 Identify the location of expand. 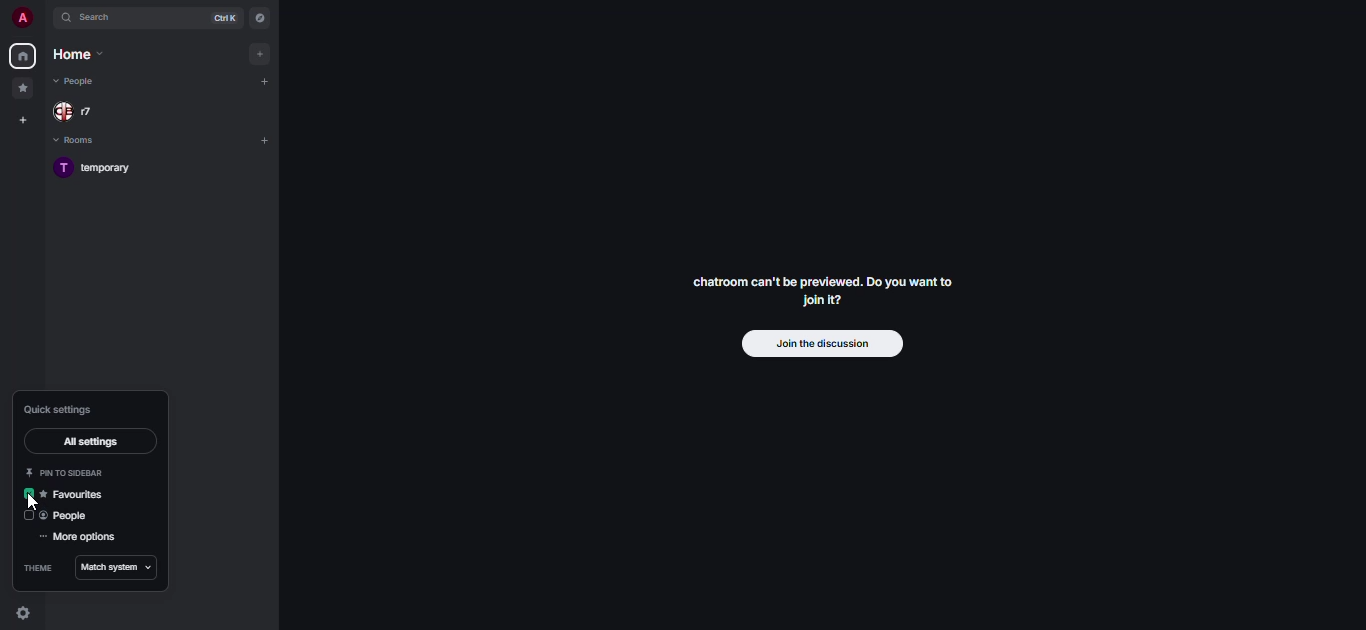
(42, 18).